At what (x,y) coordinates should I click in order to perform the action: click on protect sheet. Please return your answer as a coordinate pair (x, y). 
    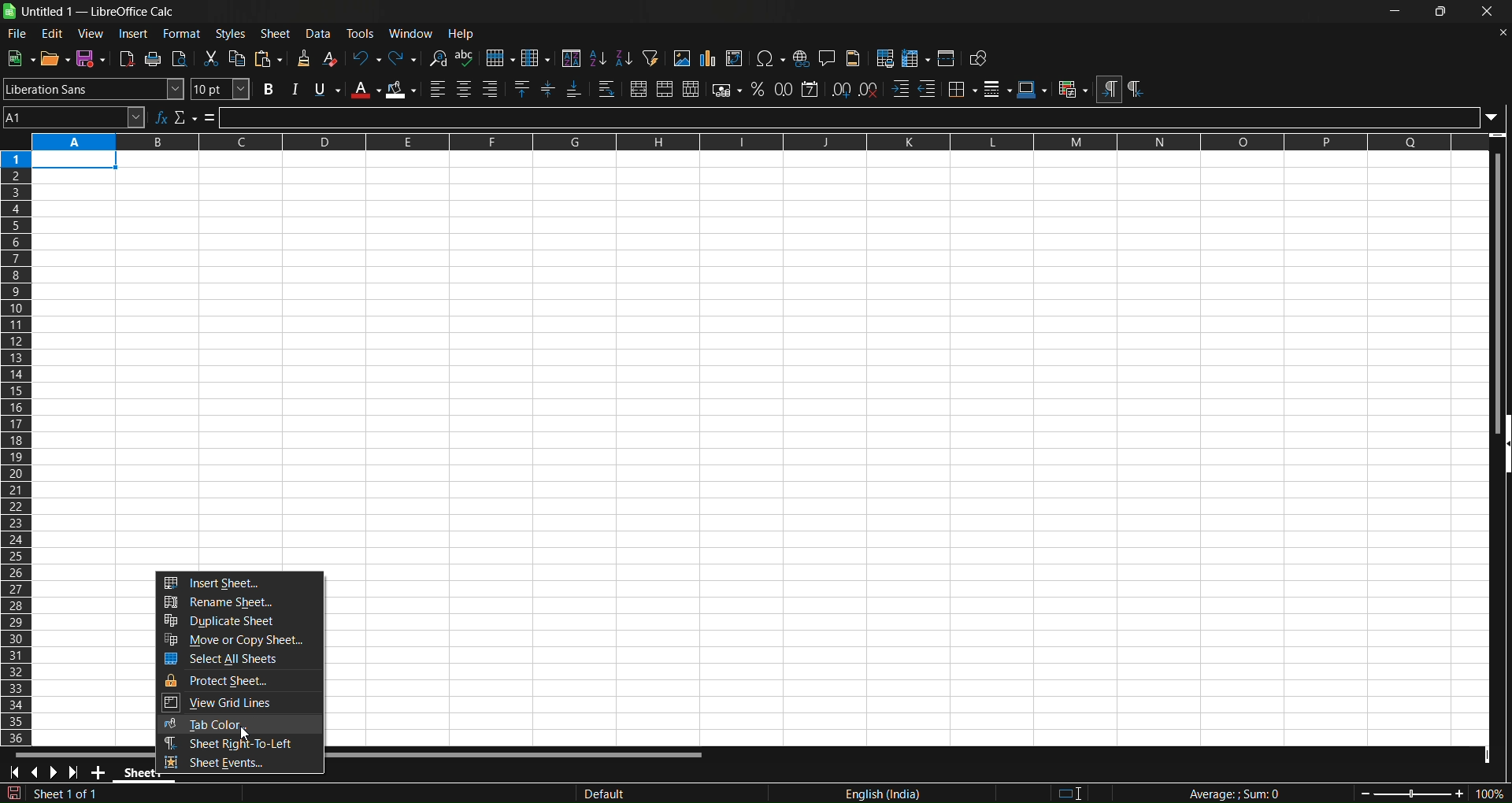
    Looking at the image, I should click on (241, 680).